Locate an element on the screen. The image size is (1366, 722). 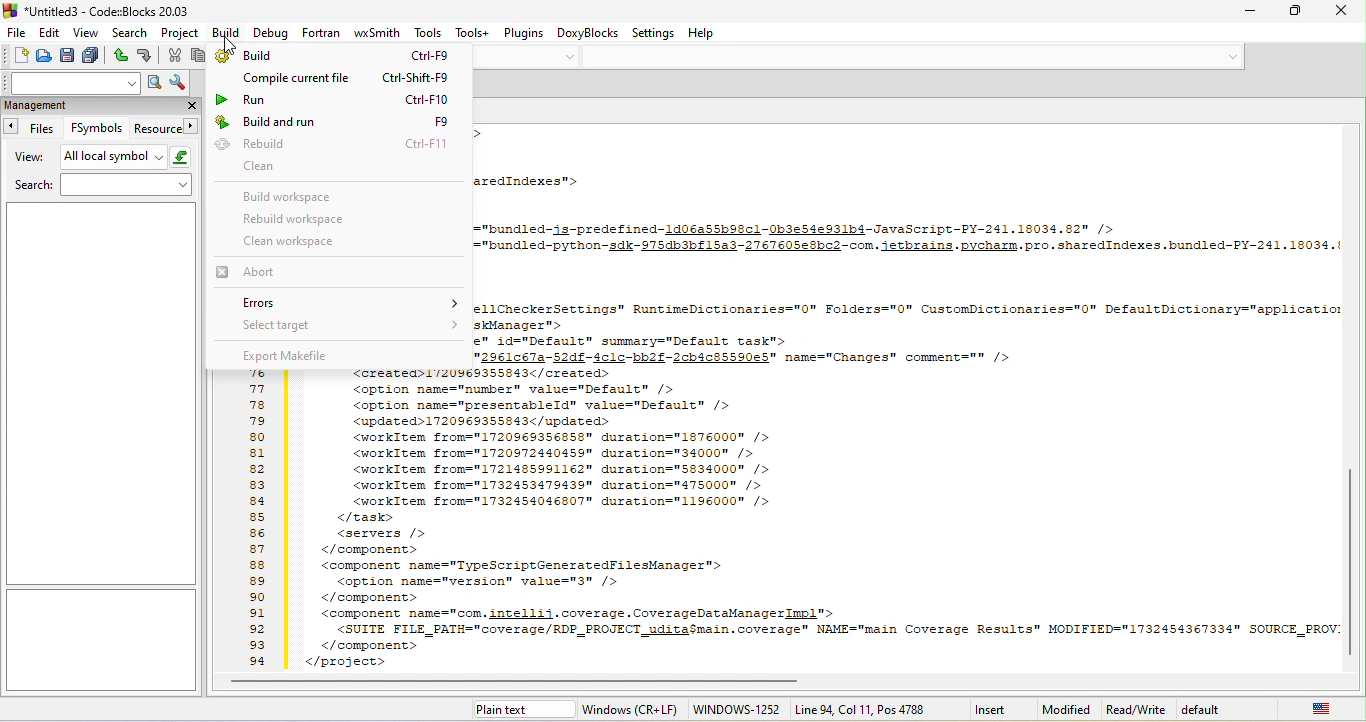
clean workspace is located at coordinates (313, 242).